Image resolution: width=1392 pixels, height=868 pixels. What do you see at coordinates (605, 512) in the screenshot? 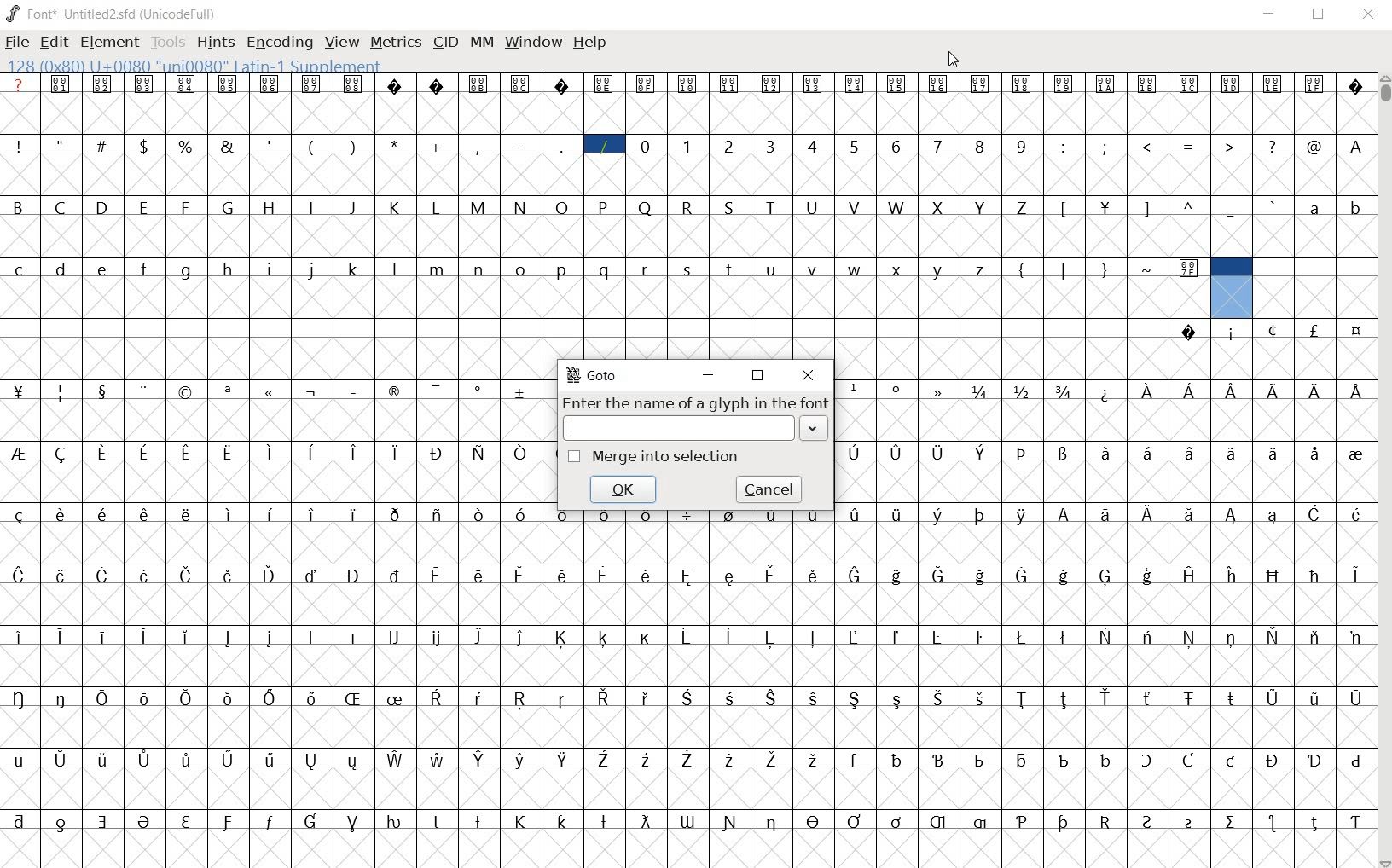
I see `Symbol` at bounding box center [605, 512].